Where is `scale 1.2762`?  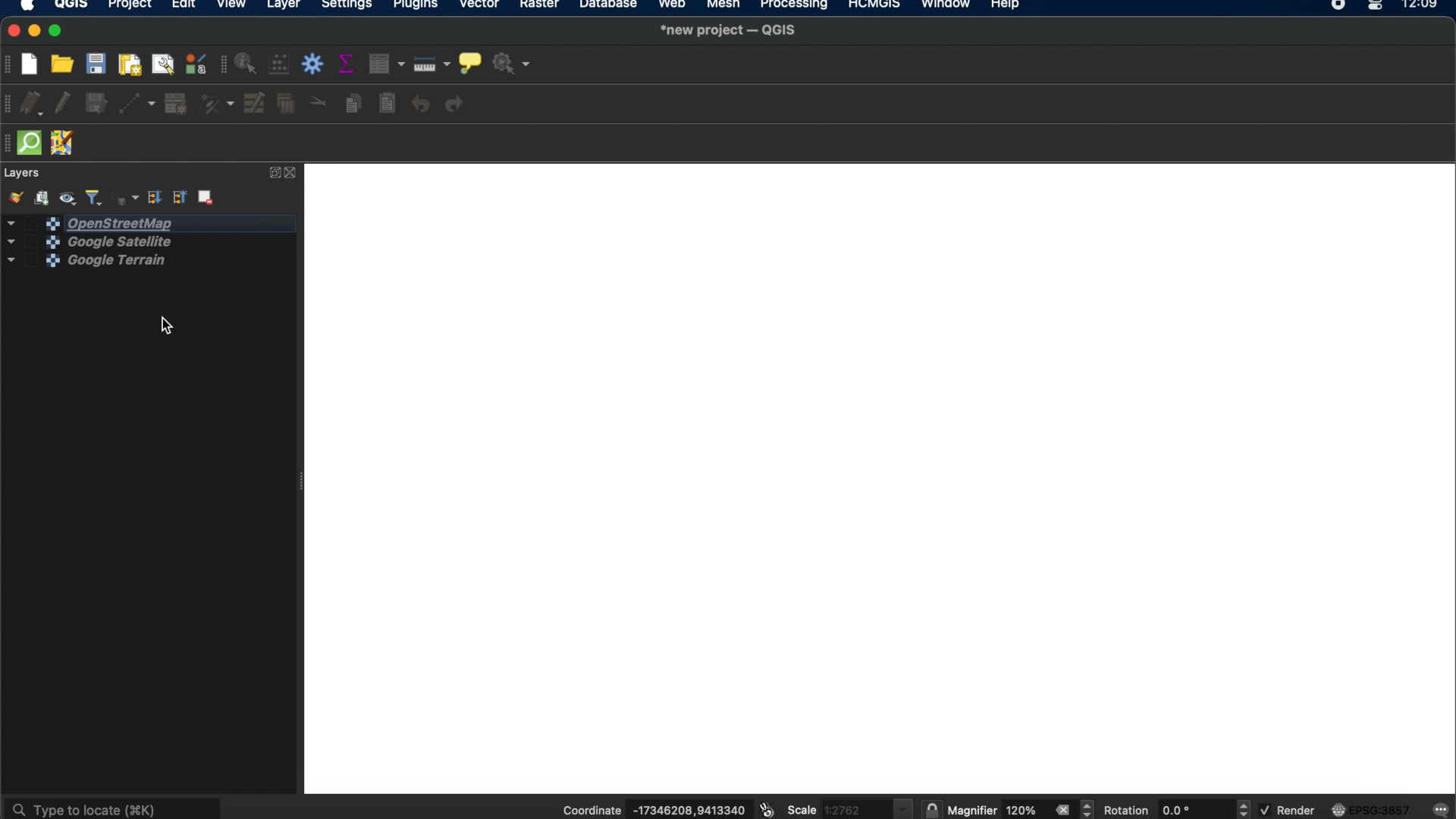
scale 1.2762 is located at coordinates (849, 807).